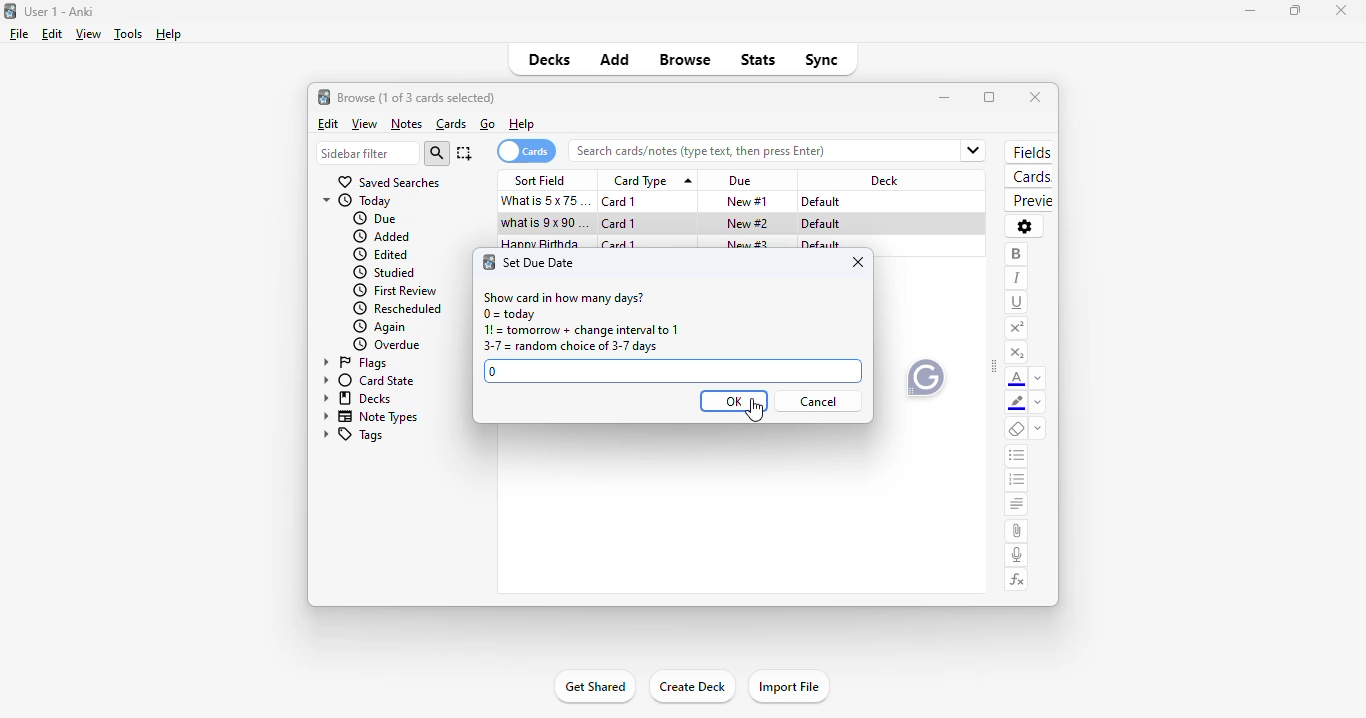 The image size is (1366, 718). I want to click on card state, so click(366, 381).